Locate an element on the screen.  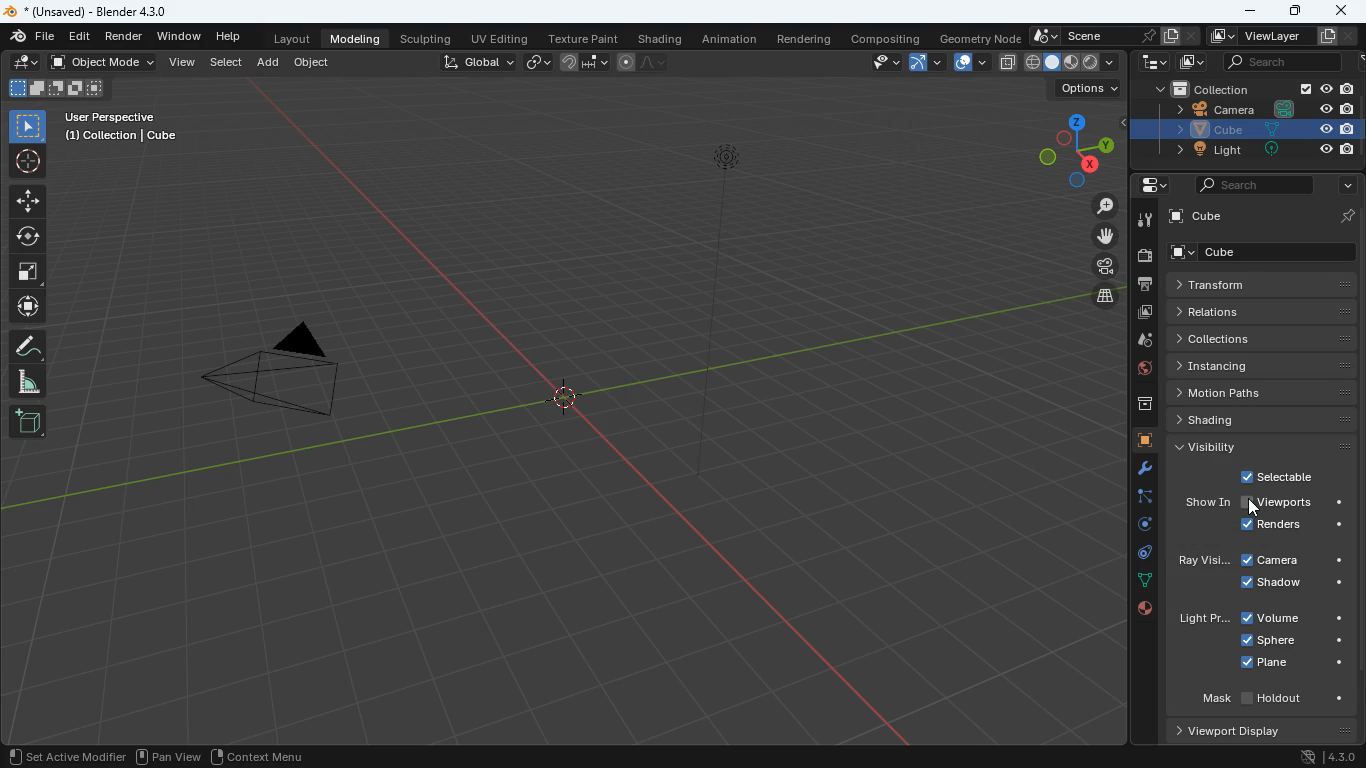
cube is located at coordinates (1266, 253).